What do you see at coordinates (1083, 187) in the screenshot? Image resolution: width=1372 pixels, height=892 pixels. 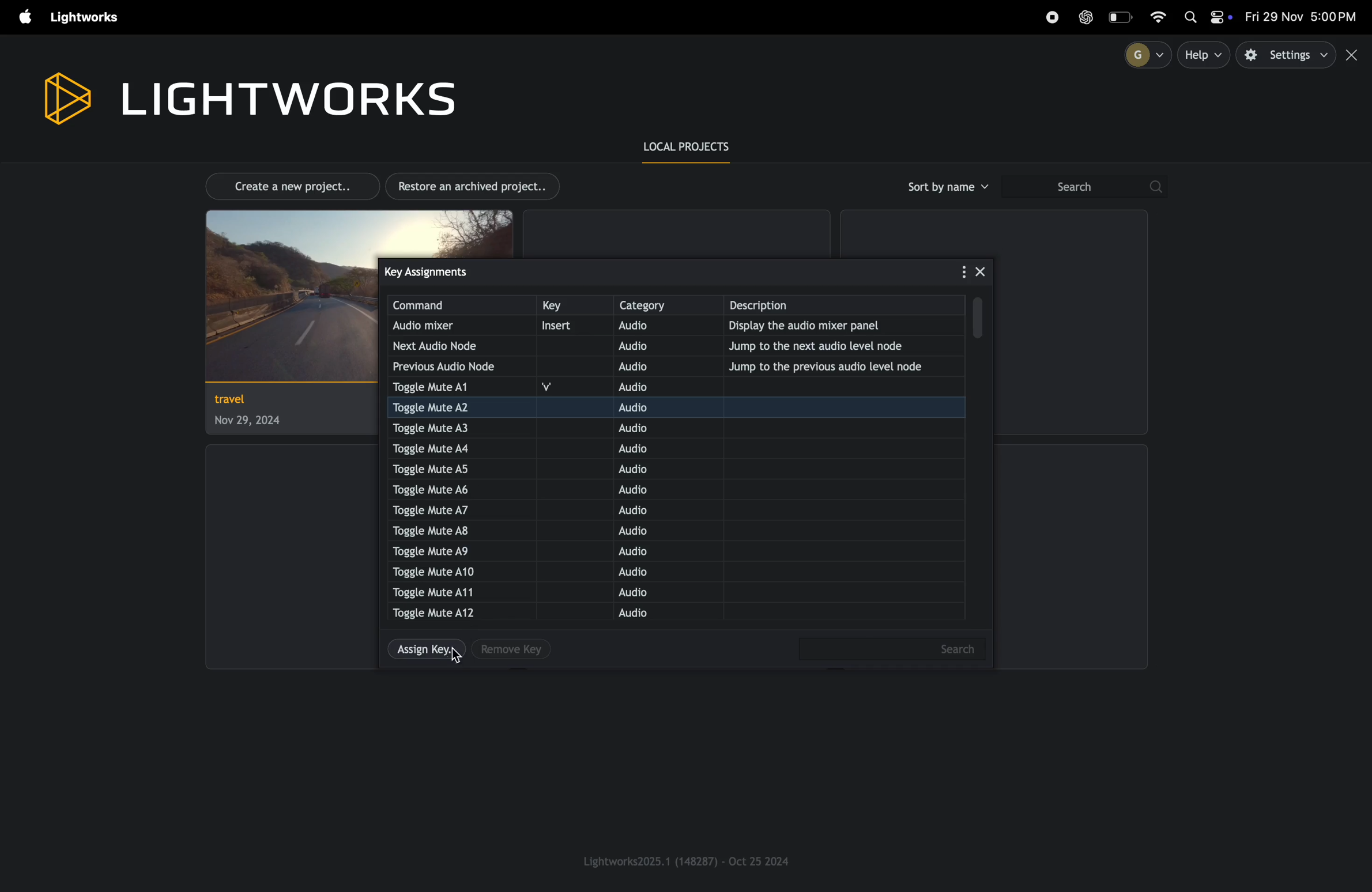 I see `search` at bounding box center [1083, 187].